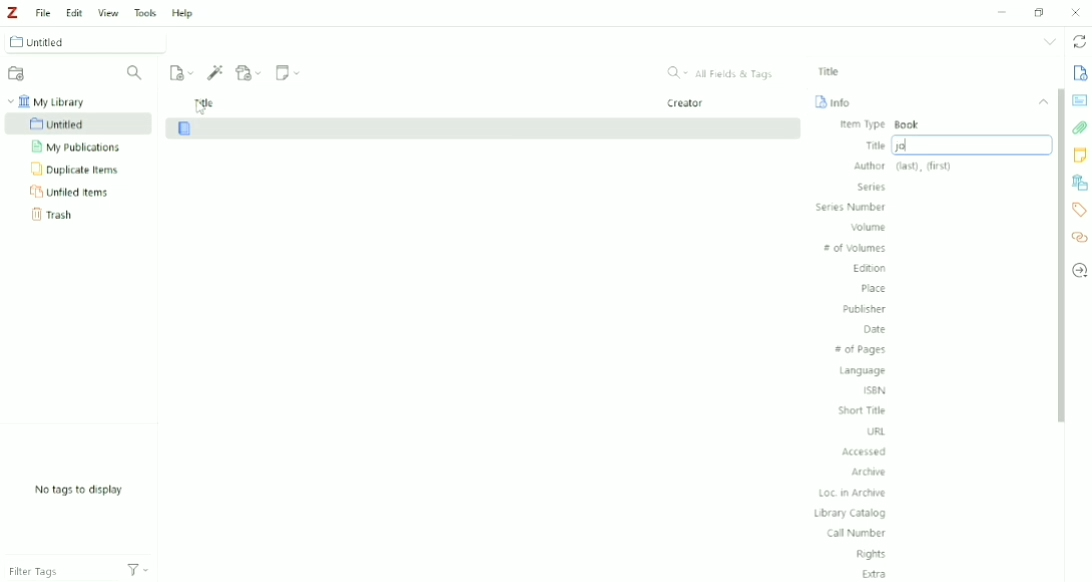 Image resolution: width=1092 pixels, height=582 pixels. What do you see at coordinates (79, 124) in the screenshot?
I see `Untitled` at bounding box center [79, 124].